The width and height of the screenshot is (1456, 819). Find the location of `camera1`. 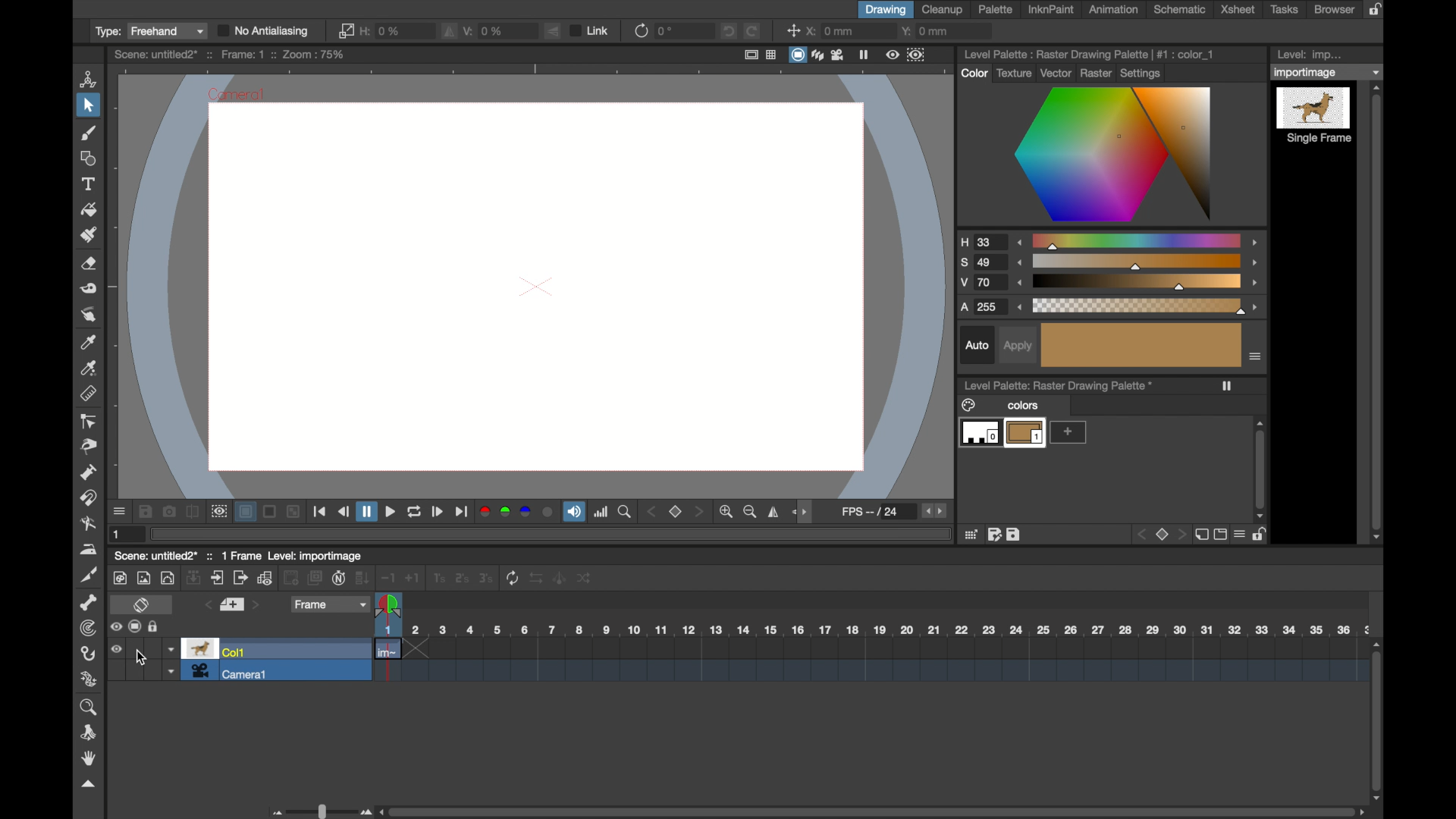

camera1 is located at coordinates (232, 672).